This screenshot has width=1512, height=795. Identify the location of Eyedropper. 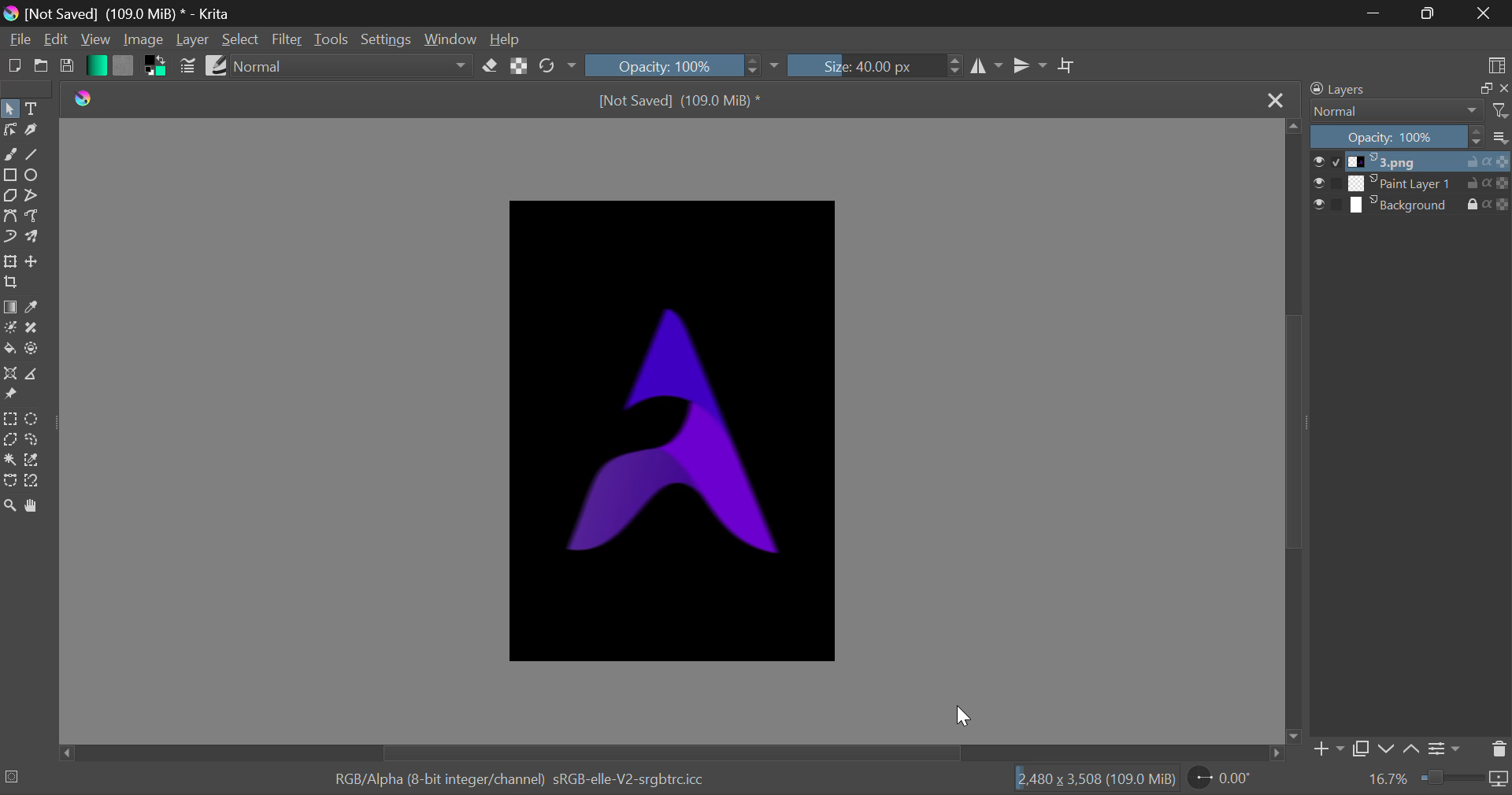
(35, 307).